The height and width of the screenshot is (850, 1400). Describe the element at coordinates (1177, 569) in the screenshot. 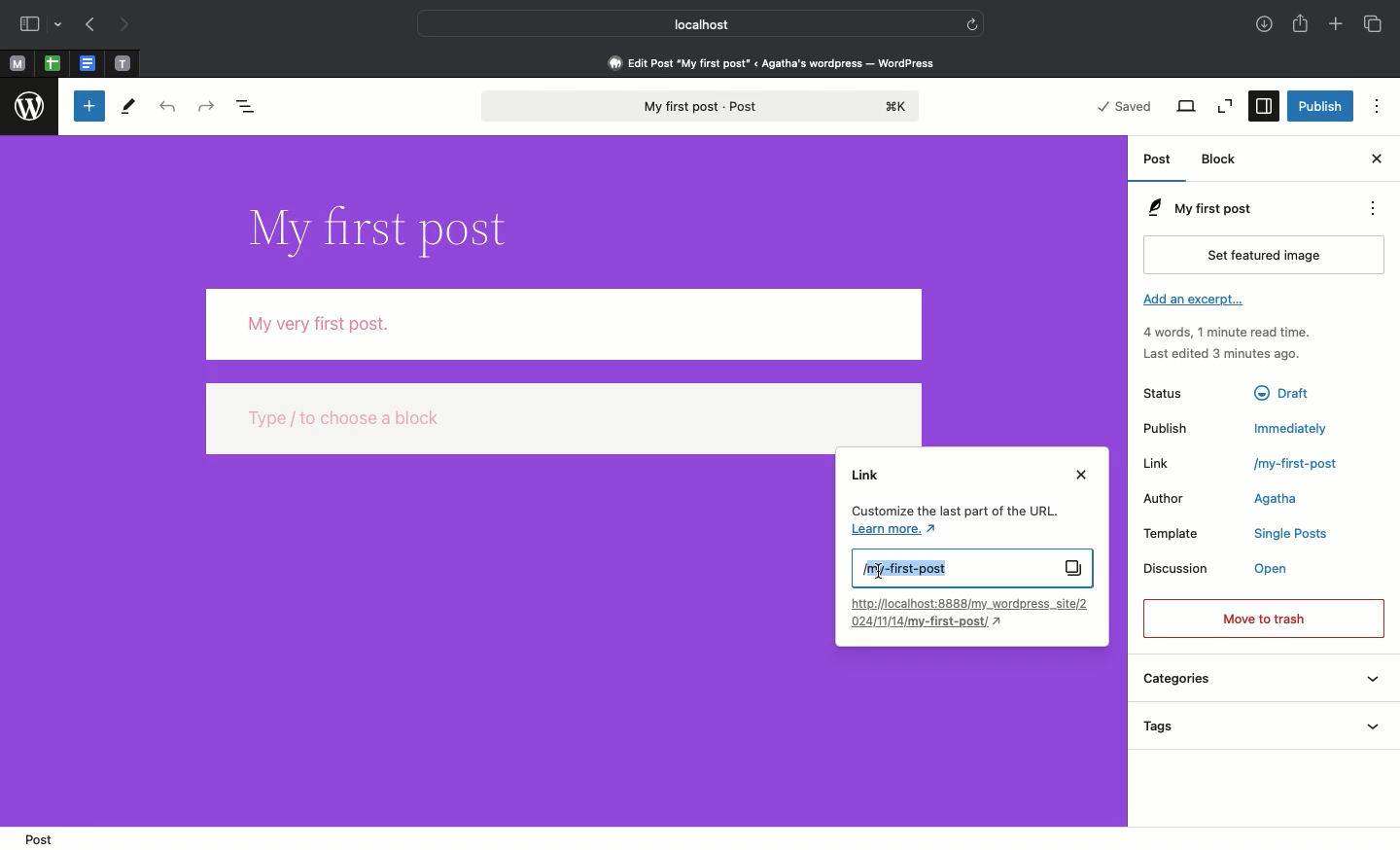

I see `Discussion` at that location.